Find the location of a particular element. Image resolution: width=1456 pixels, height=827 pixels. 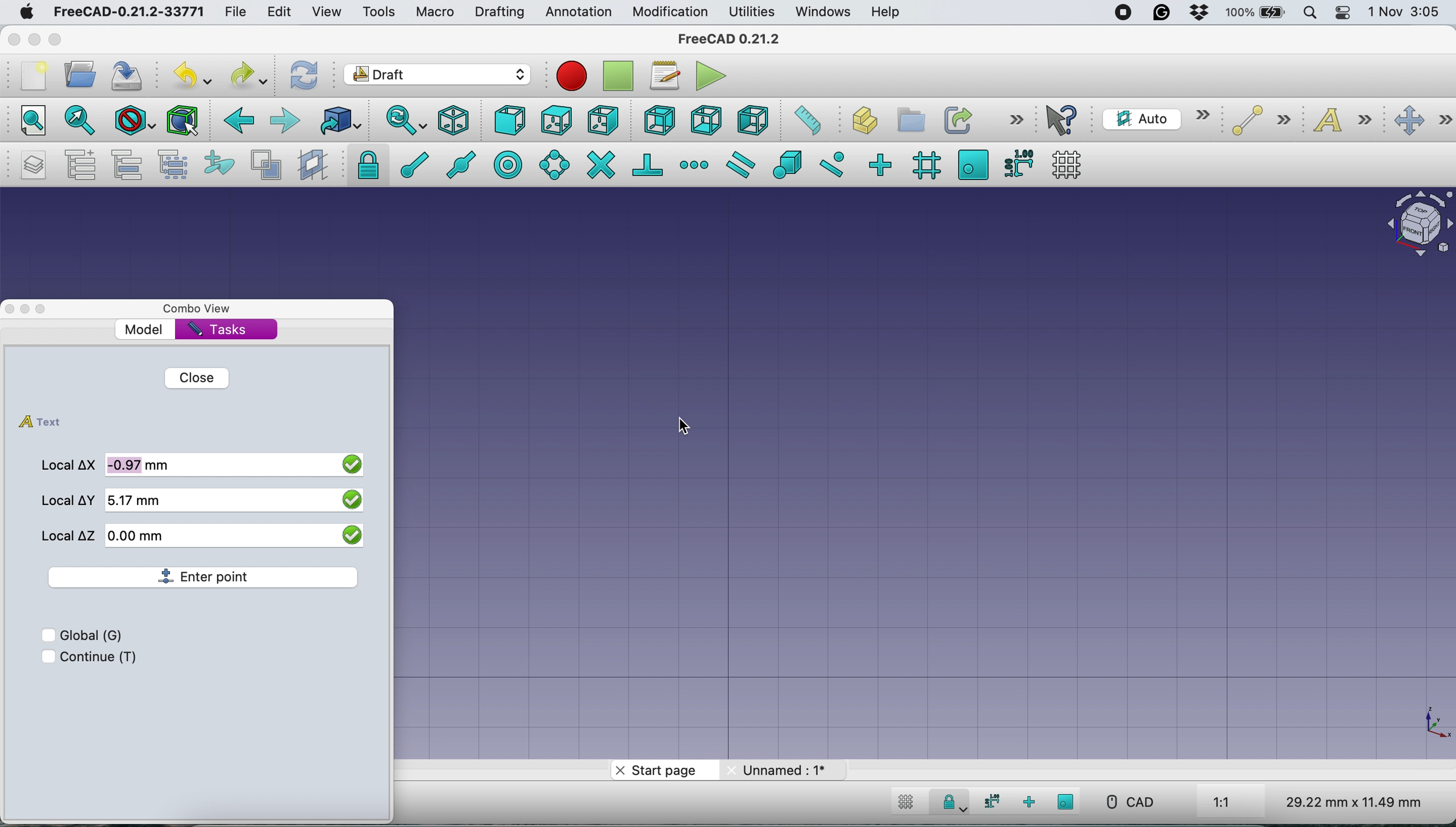

spotlight search is located at coordinates (1308, 12).